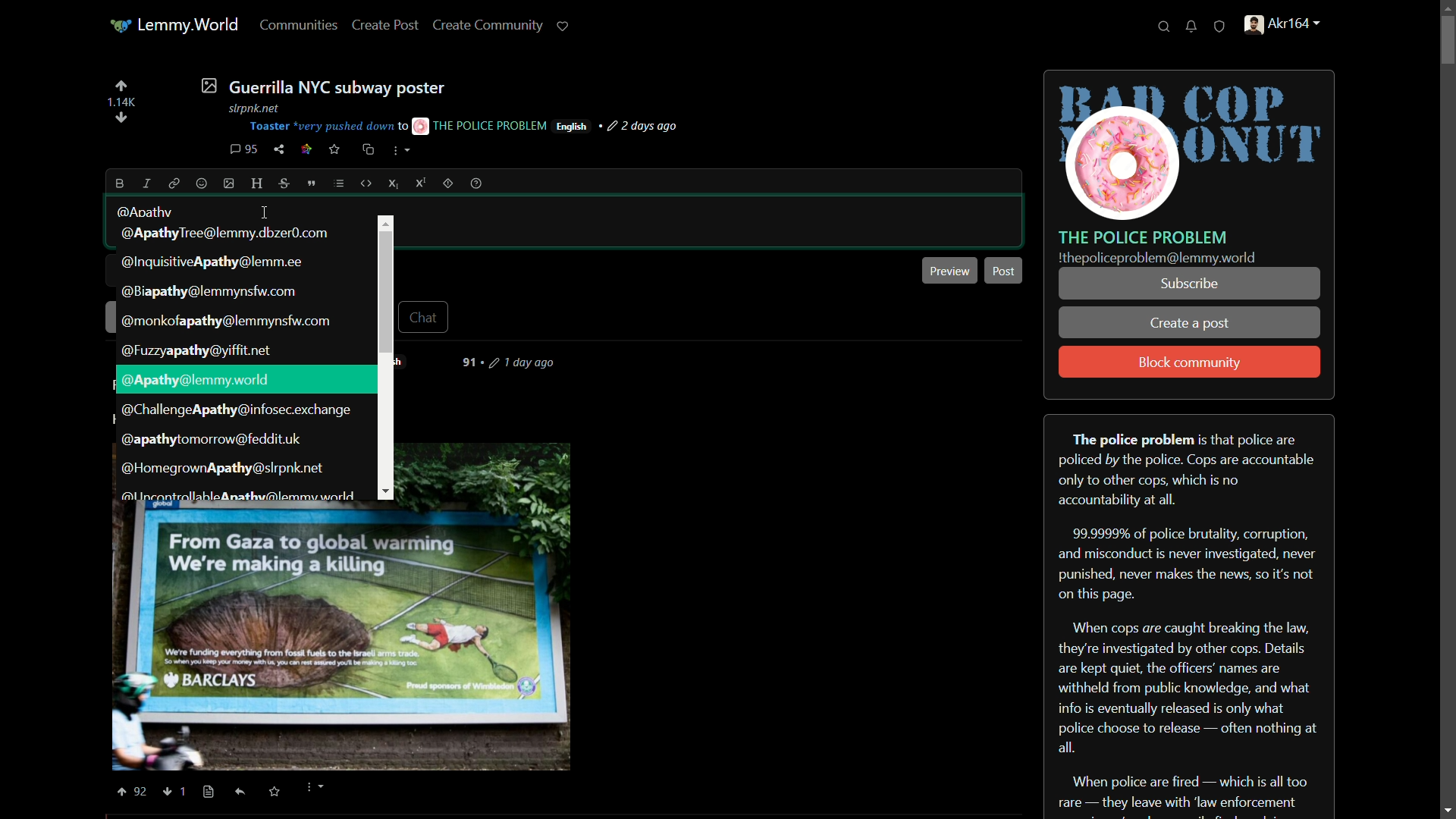 Image resolution: width=1456 pixels, height=819 pixels. Describe the element at coordinates (202, 184) in the screenshot. I see `emoji` at that location.